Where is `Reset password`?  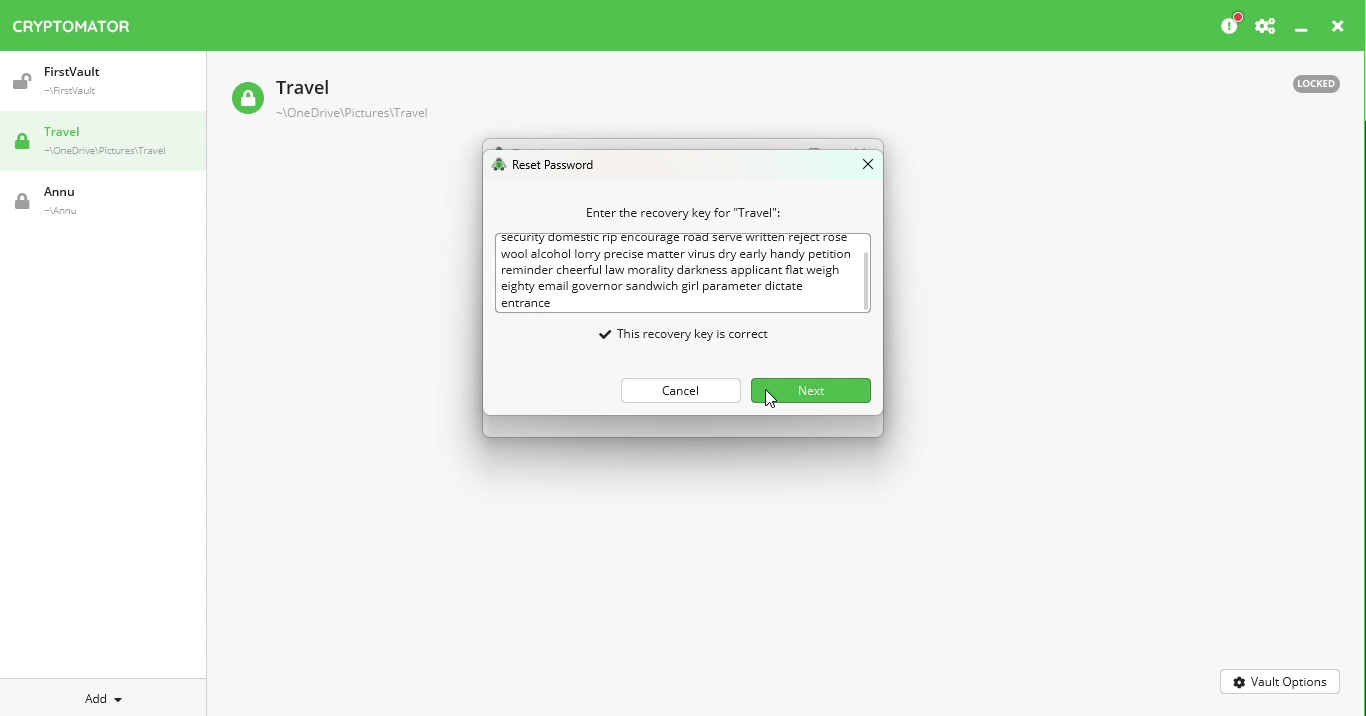
Reset password is located at coordinates (549, 166).